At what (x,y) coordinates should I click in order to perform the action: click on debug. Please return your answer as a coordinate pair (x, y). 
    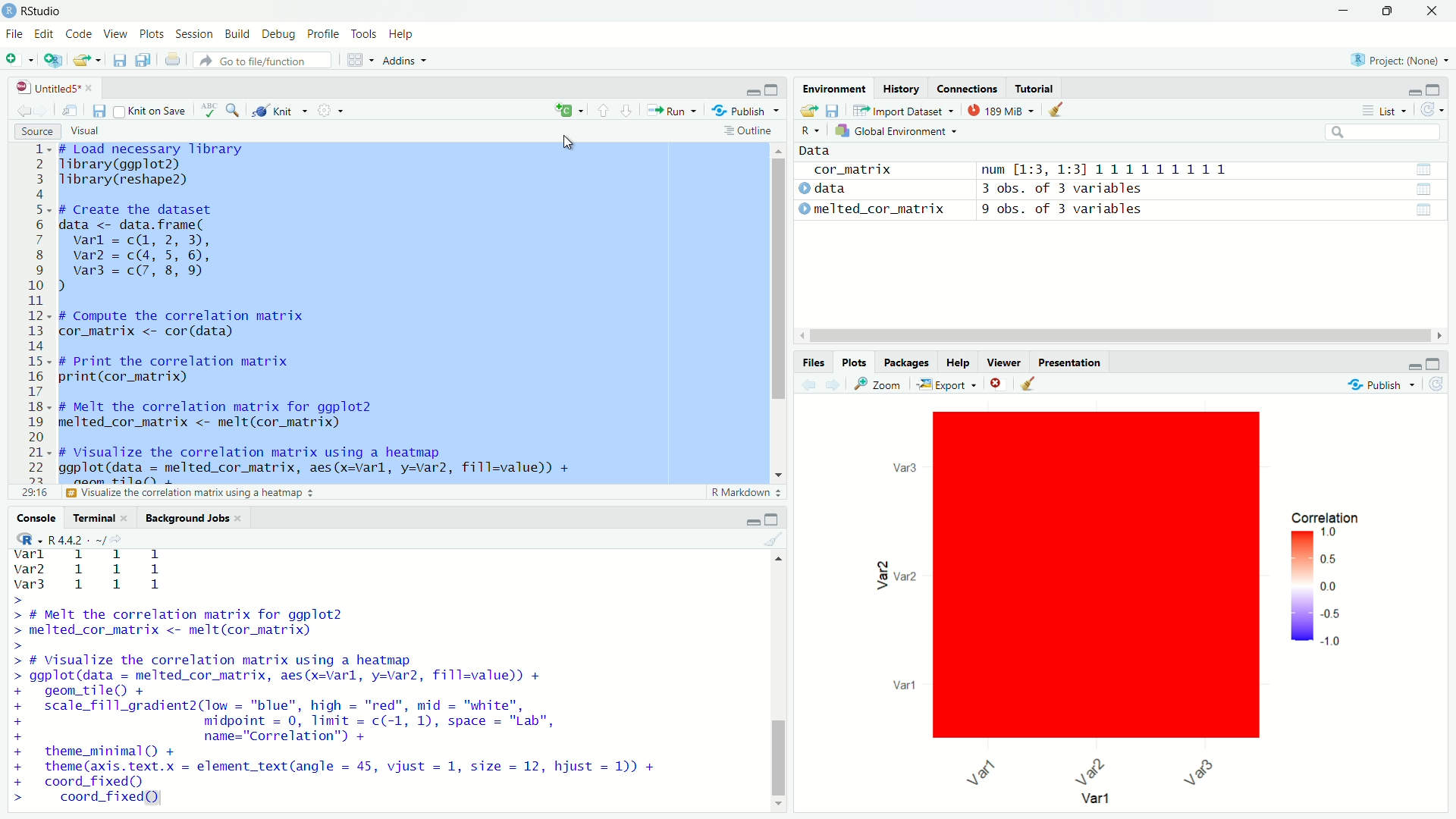
    Looking at the image, I should click on (280, 33).